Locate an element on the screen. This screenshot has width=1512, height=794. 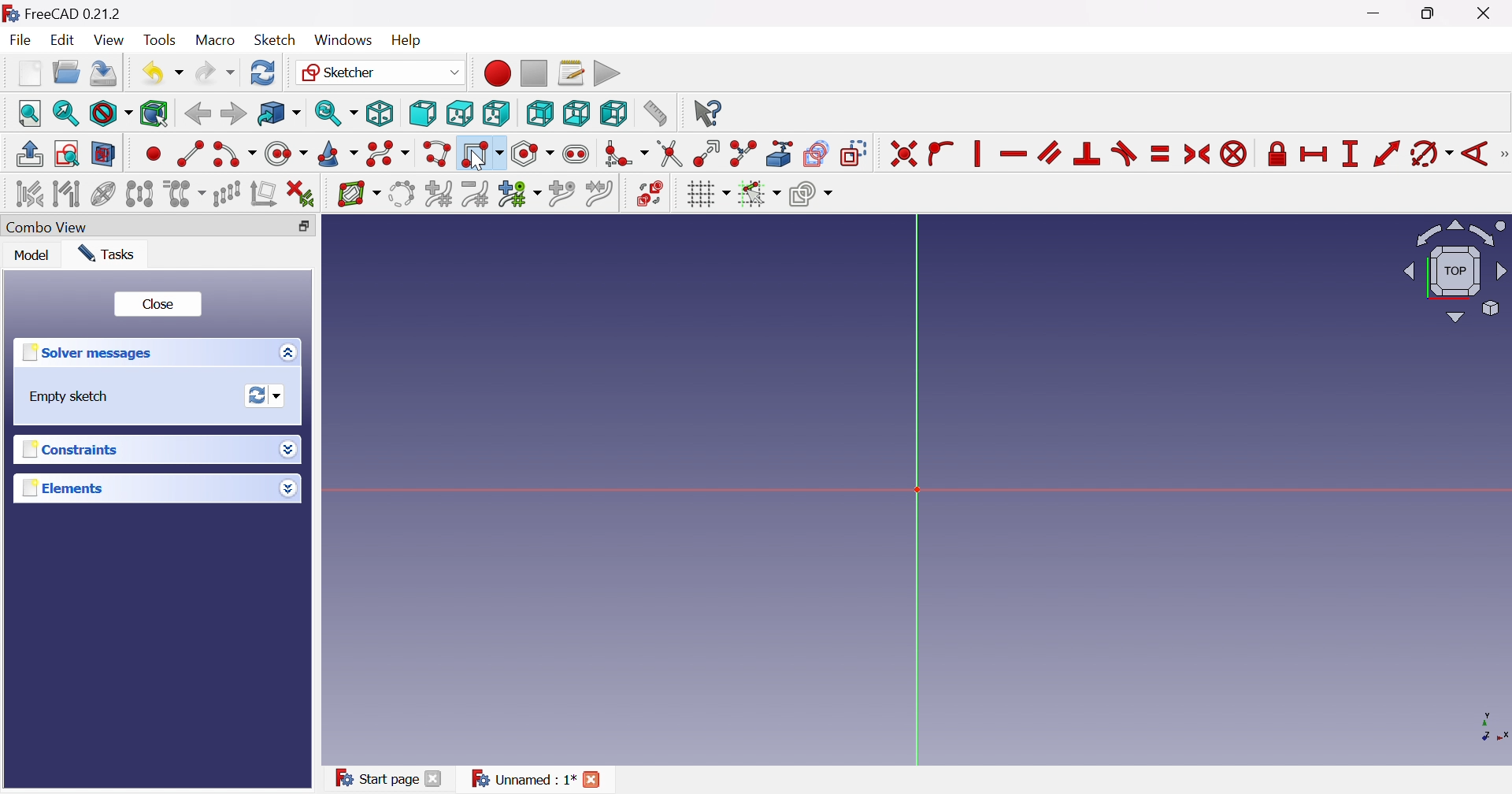
Constrain lock is located at coordinates (1275, 155).